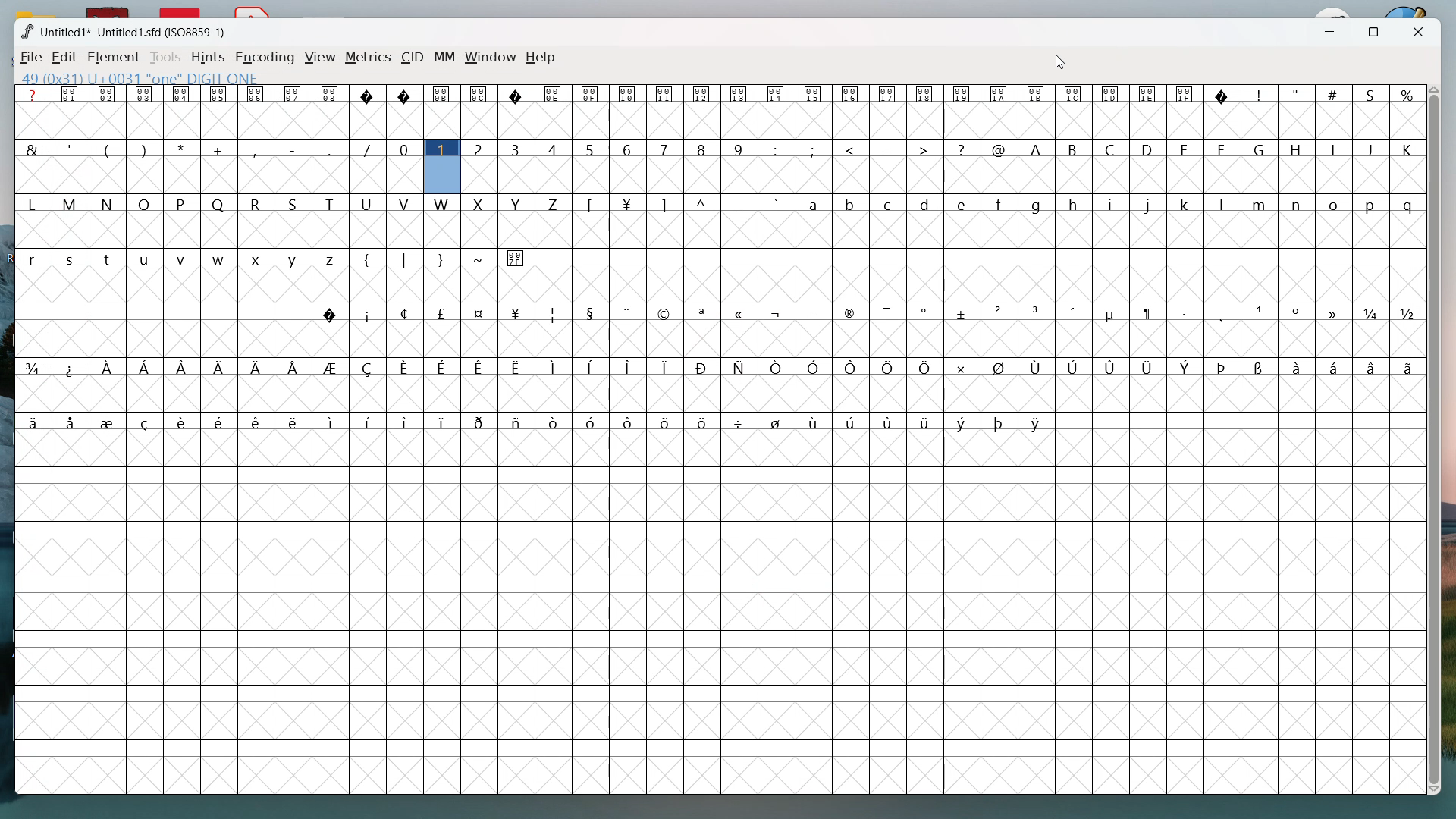 The height and width of the screenshot is (819, 1456). I want to click on symbol, so click(817, 422).